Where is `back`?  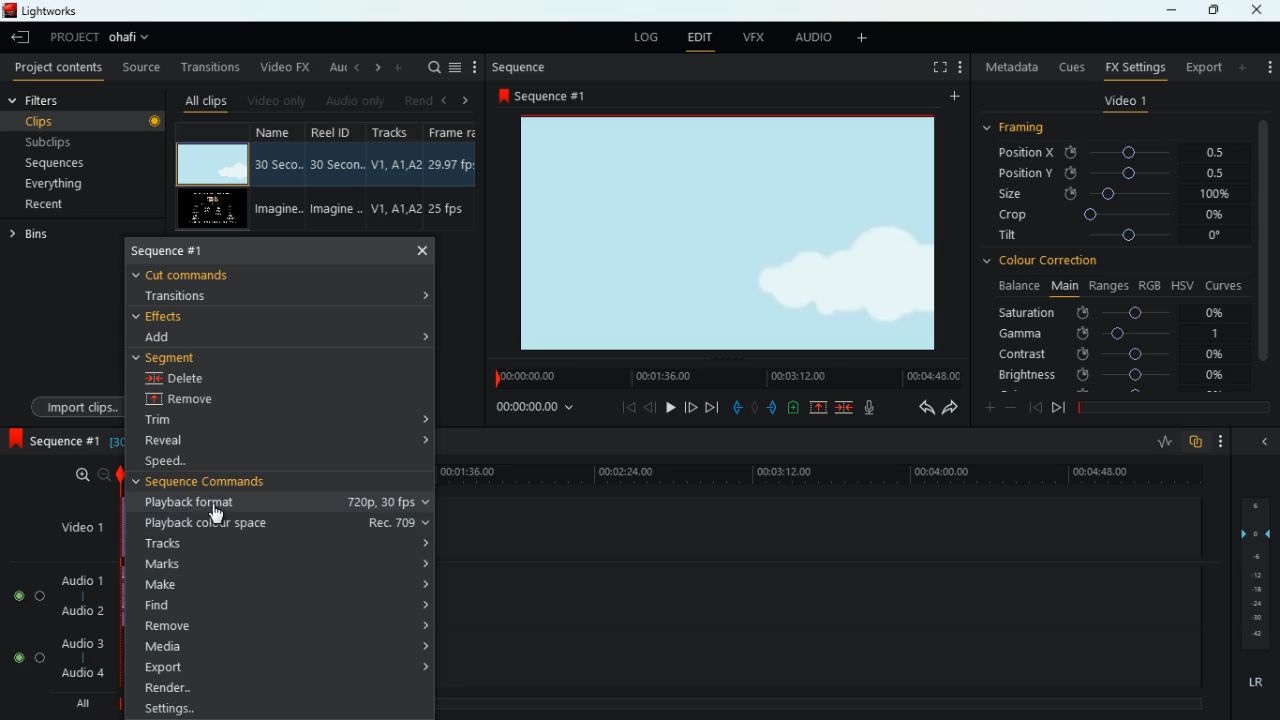 back is located at coordinates (653, 407).